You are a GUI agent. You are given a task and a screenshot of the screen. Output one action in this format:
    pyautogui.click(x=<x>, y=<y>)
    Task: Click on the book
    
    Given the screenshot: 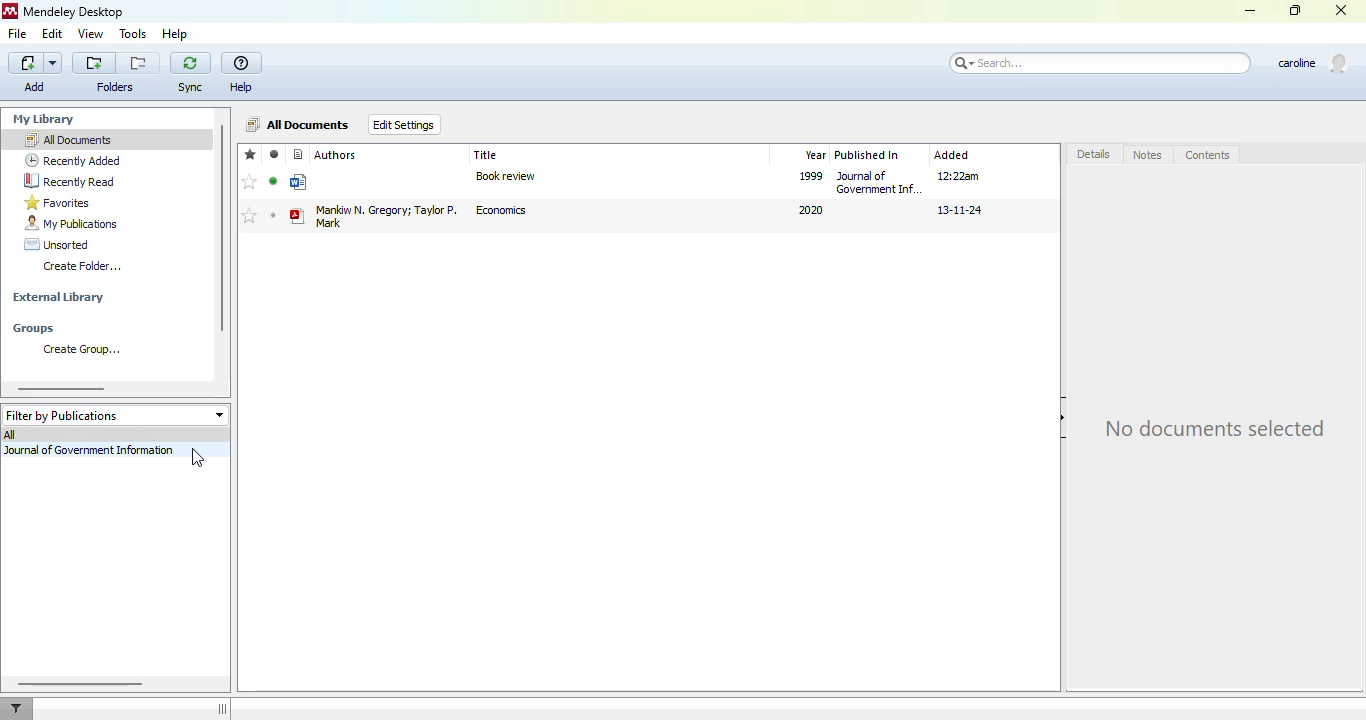 What is the action you would take?
    pyautogui.click(x=297, y=217)
    